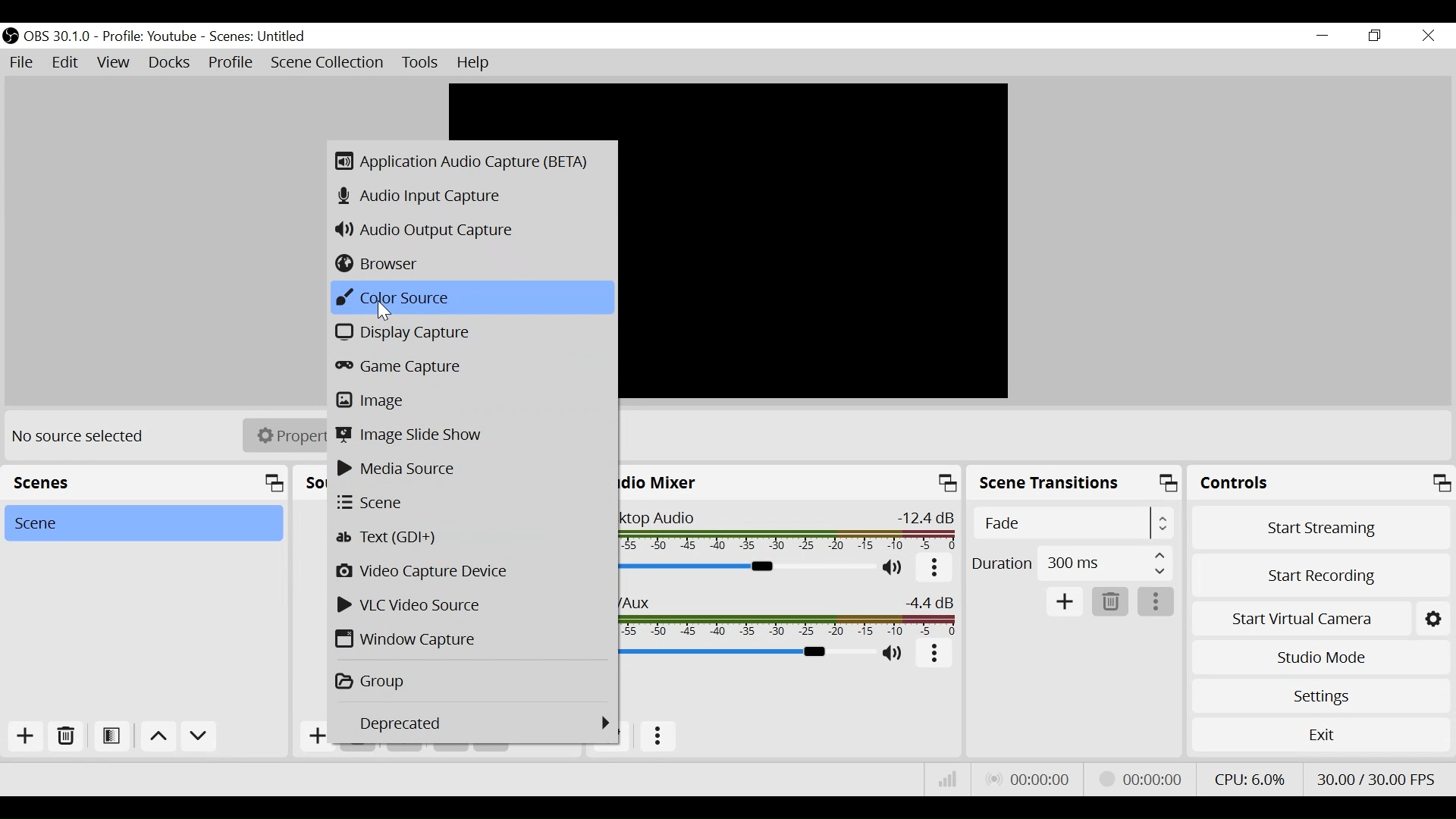 The width and height of the screenshot is (1456, 819). I want to click on Select Scene Transition, so click(1075, 525).